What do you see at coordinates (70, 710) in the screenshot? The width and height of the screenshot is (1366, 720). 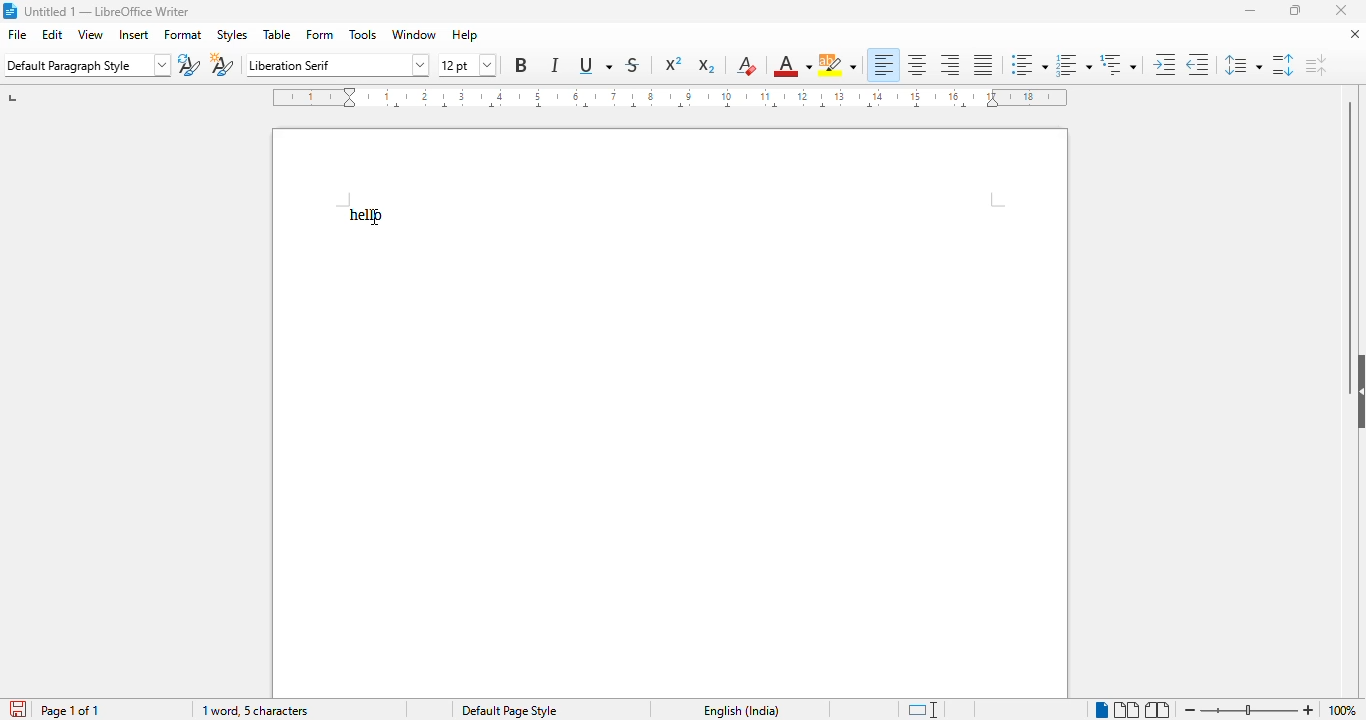 I see `page 1 of 1` at bounding box center [70, 710].